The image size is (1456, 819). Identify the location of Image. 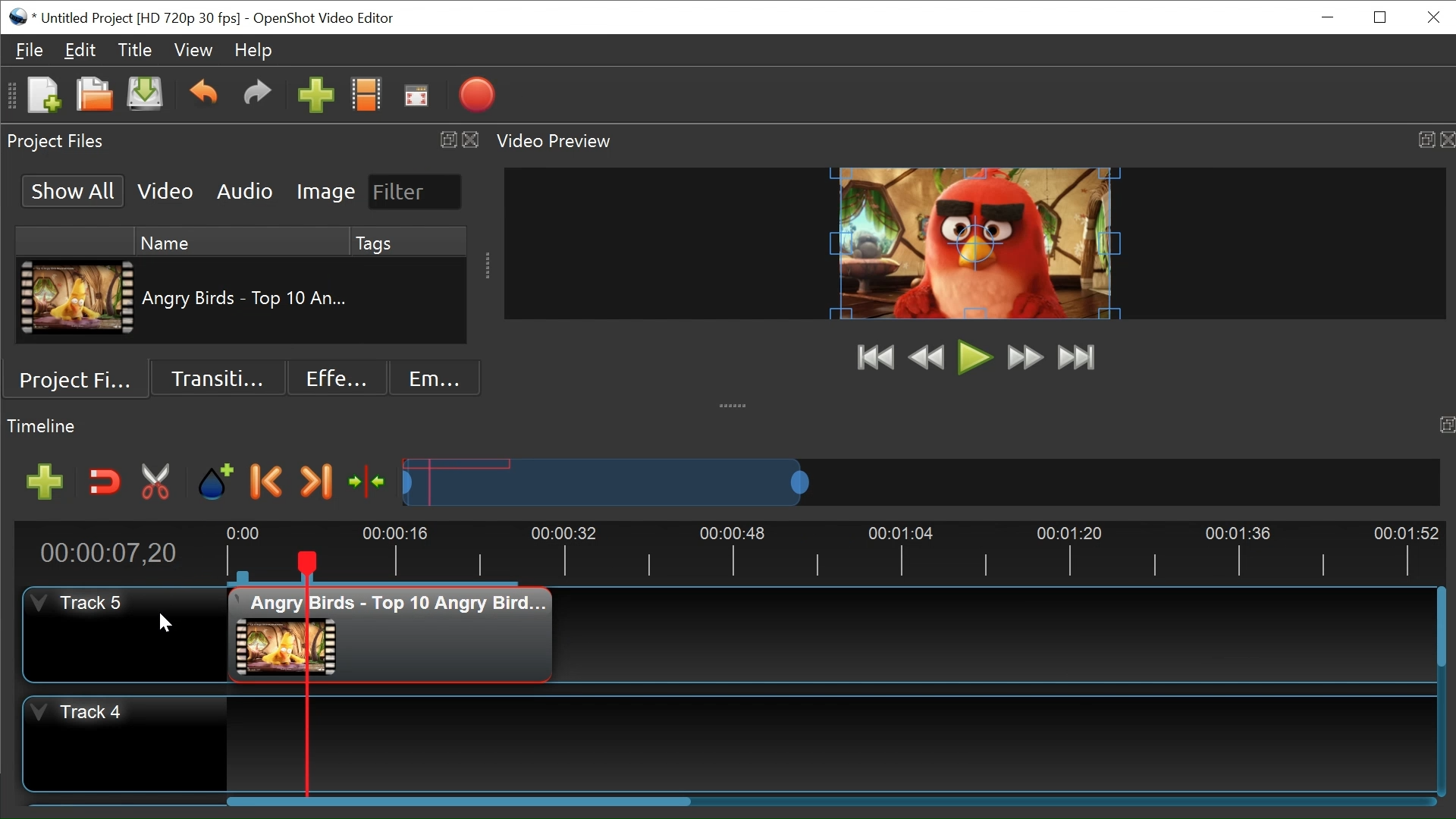
(325, 190).